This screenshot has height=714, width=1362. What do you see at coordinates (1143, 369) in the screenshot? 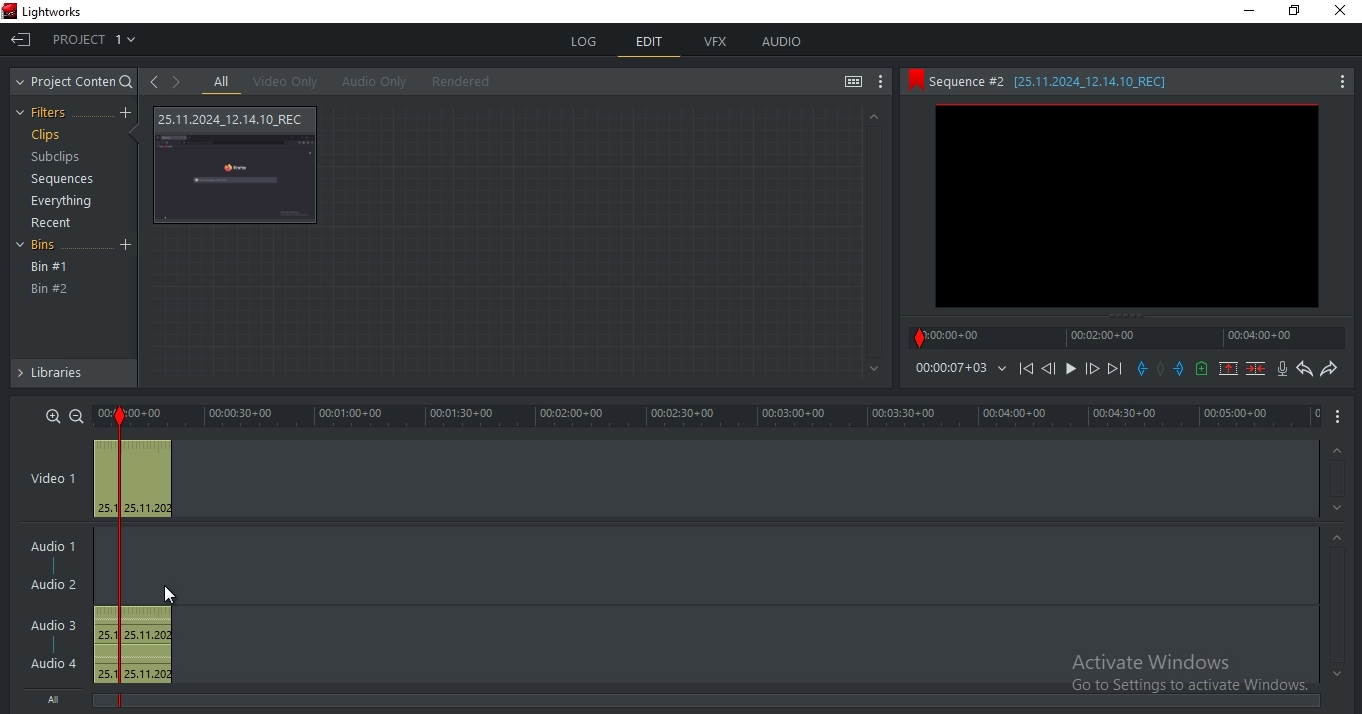
I see `add a in mark` at bounding box center [1143, 369].